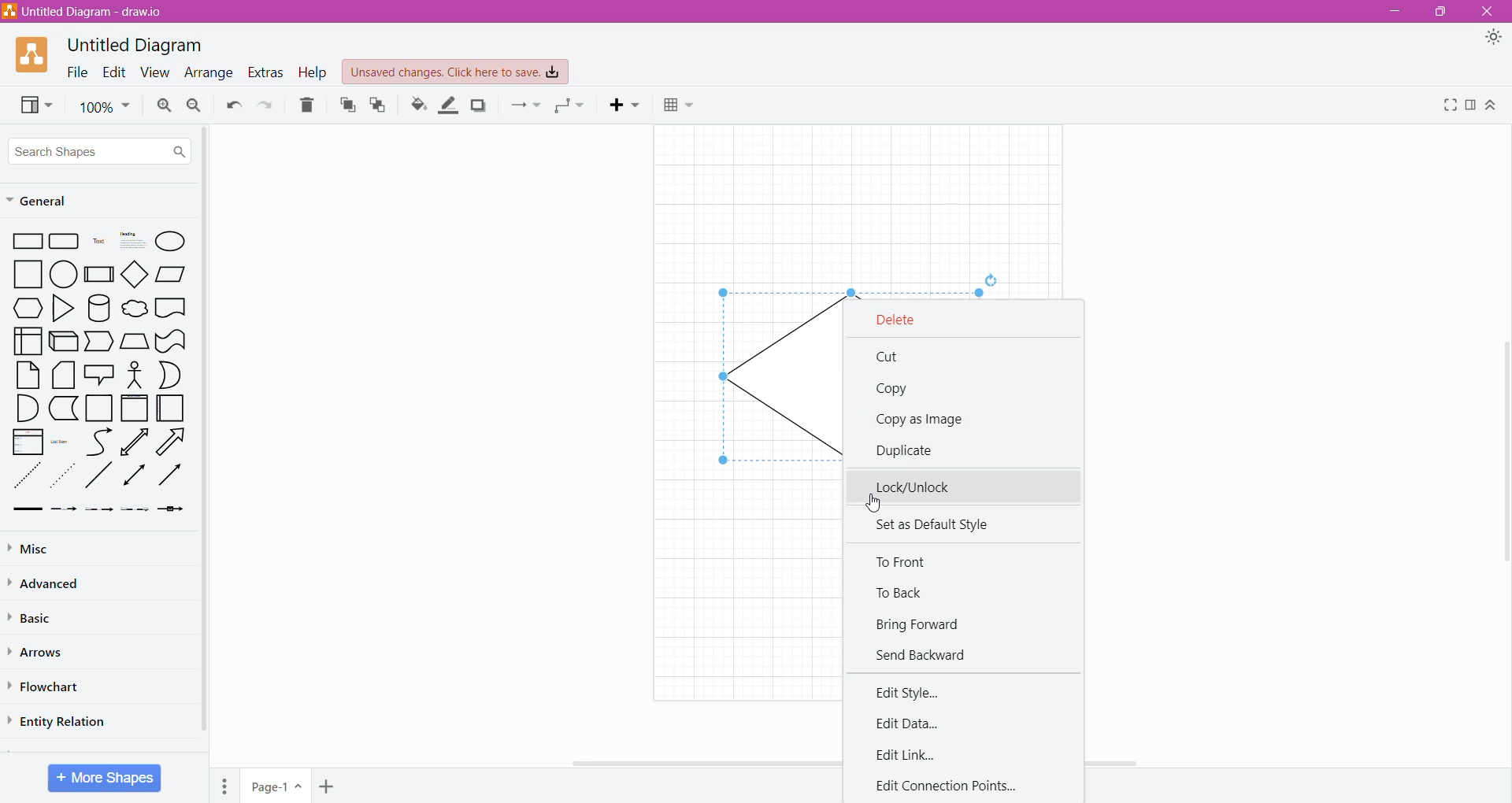 Image resolution: width=1512 pixels, height=803 pixels. What do you see at coordinates (908, 320) in the screenshot?
I see `Delete` at bounding box center [908, 320].